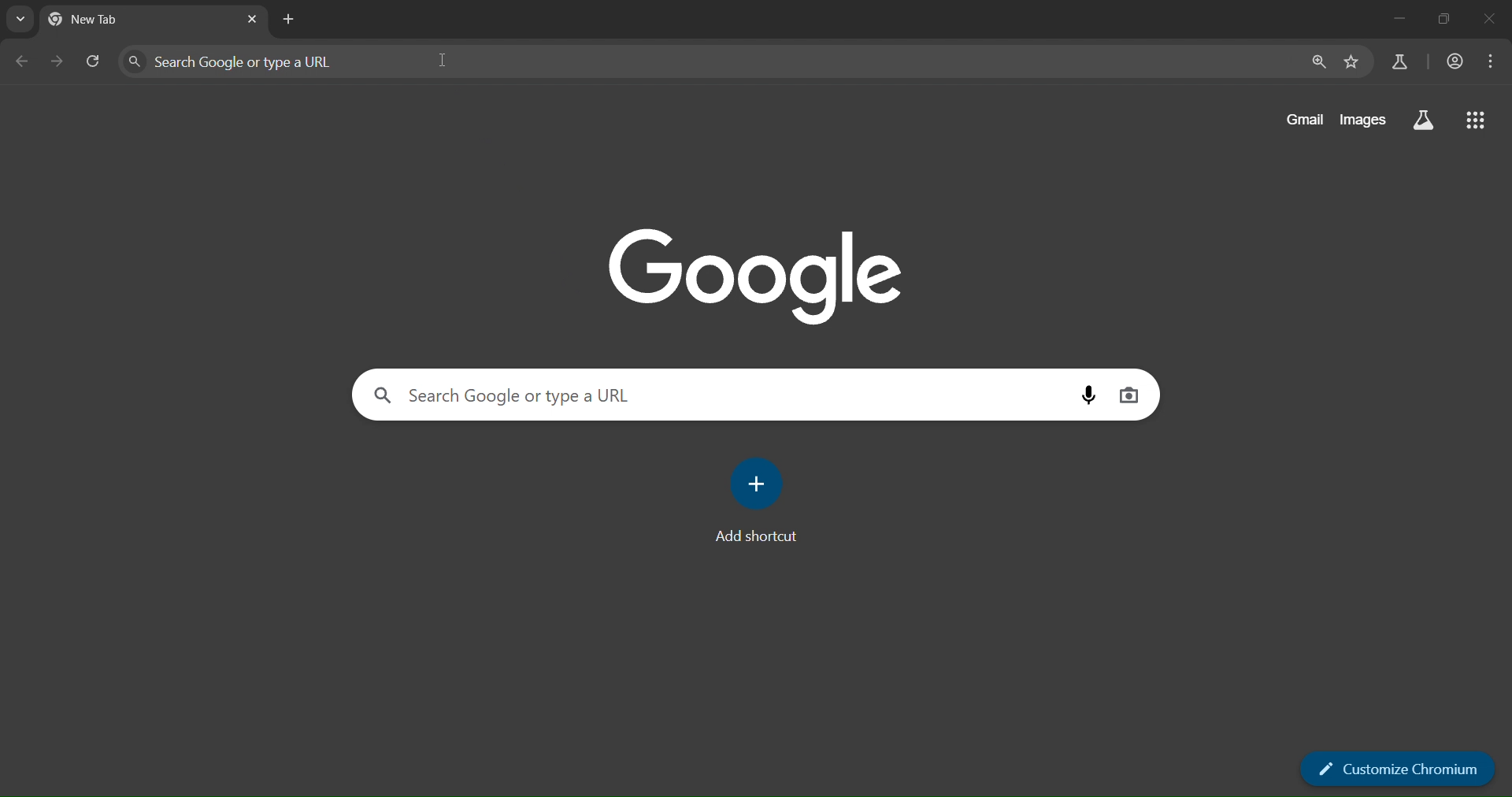 The height and width of the screenshot is (797, 1512). Describe the element at coordinates (1473, 121) in the screenshot. I see `google apps` at that location.